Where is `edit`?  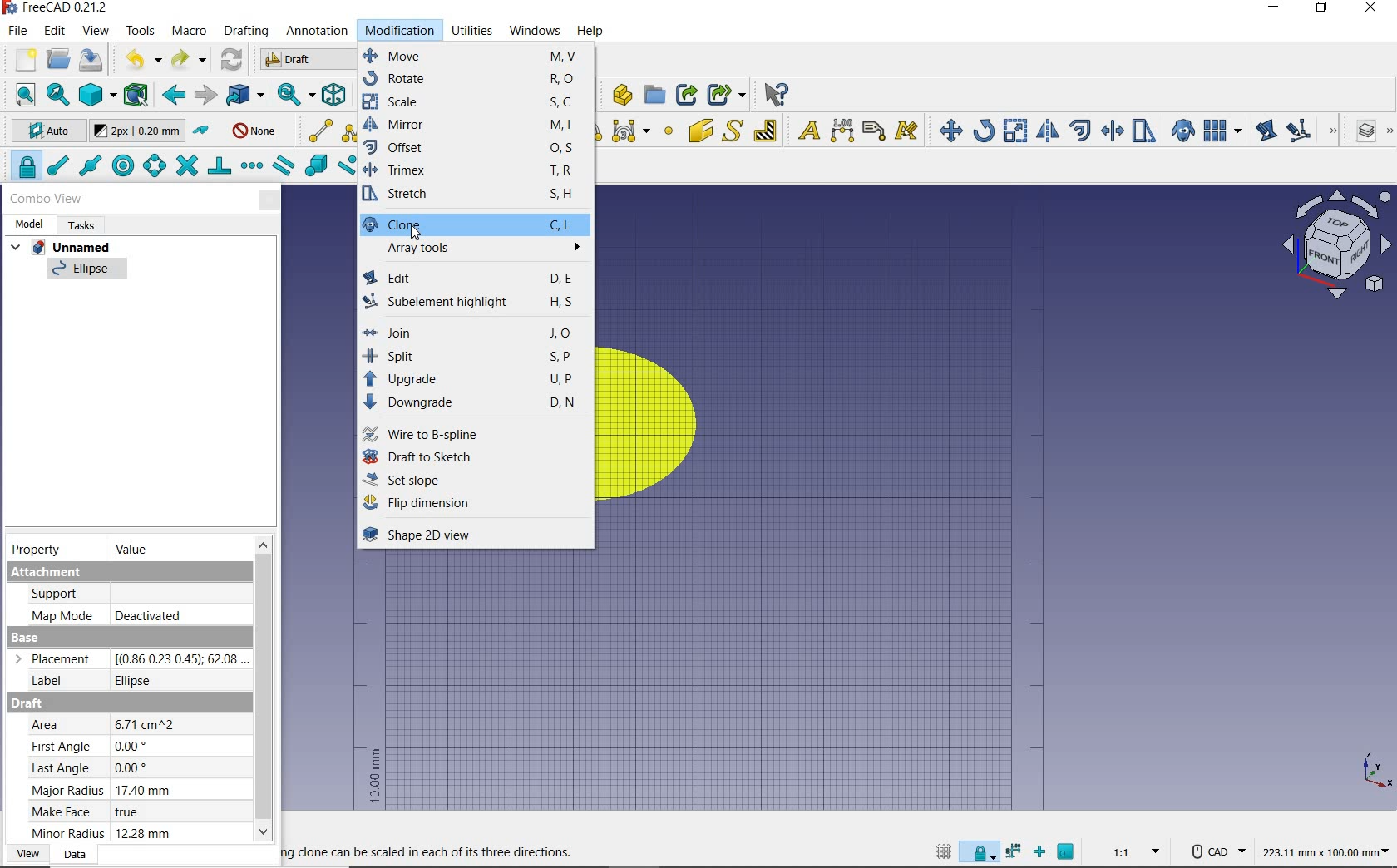
edit is located at coordinates (56, 32).